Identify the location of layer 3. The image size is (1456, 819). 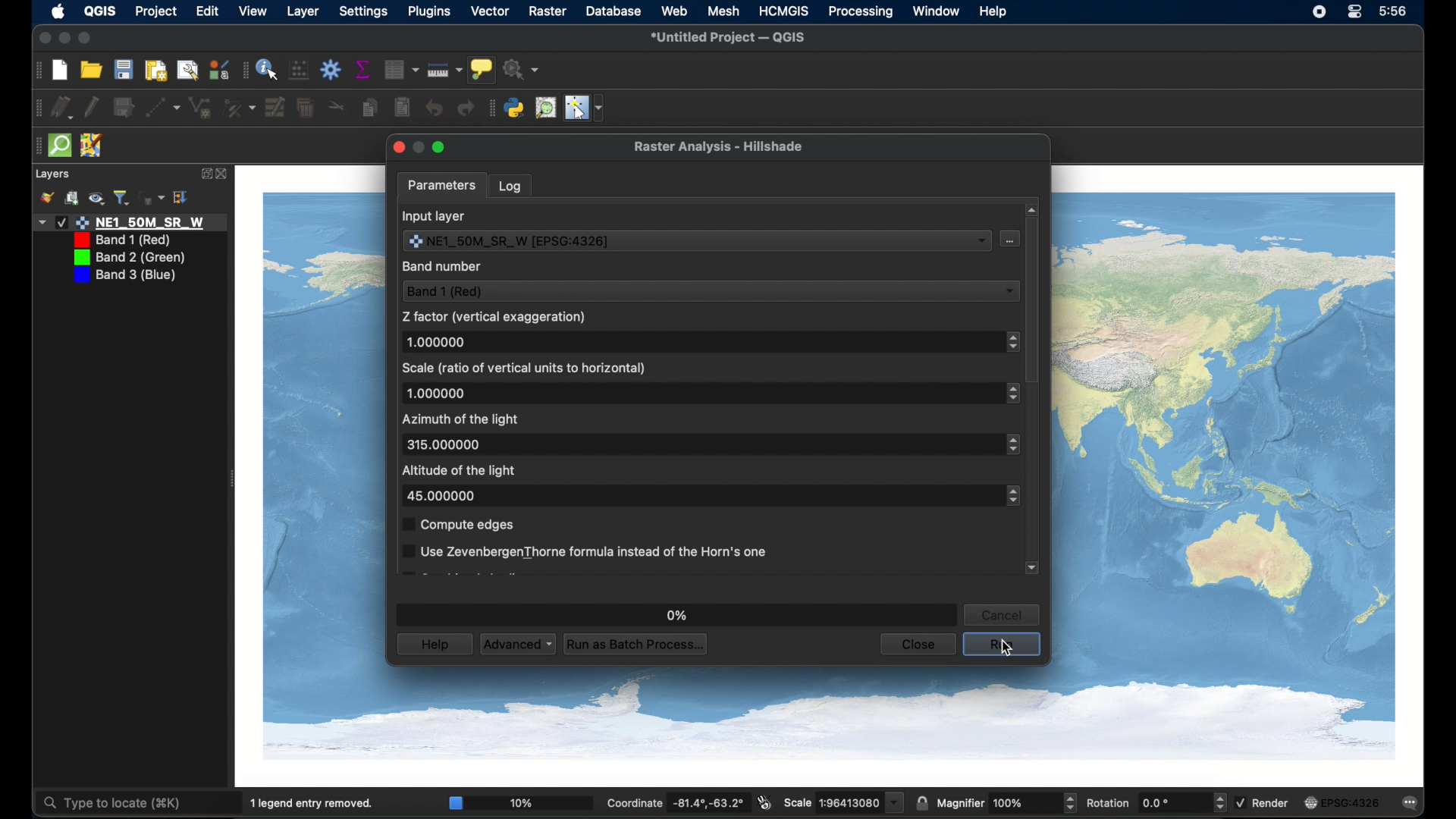
(128, 257).